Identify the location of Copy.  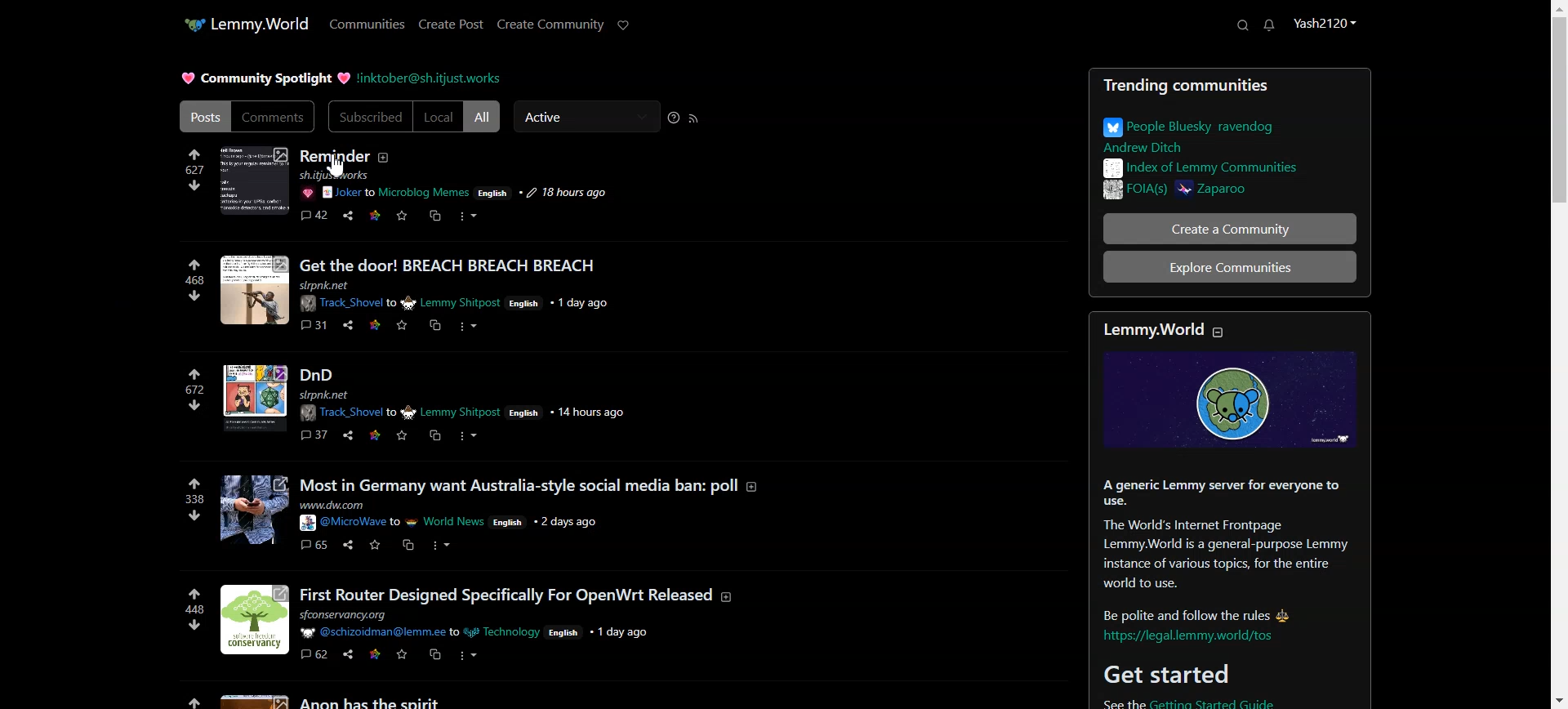
(435, 216).